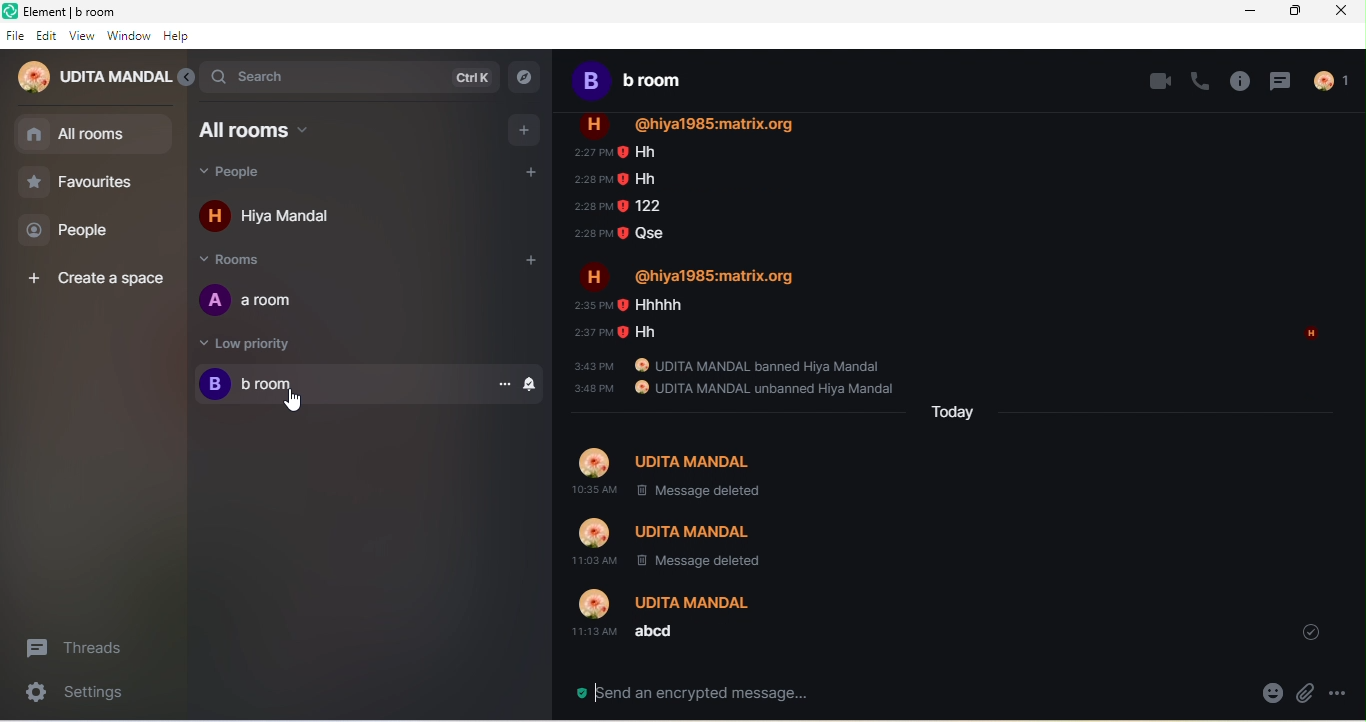 The width and height of the screenshot is (1366, 722). What do you see at coordinates (274, 344) in the screenshot?
I see `low priority` at bounding box center [274, 344].